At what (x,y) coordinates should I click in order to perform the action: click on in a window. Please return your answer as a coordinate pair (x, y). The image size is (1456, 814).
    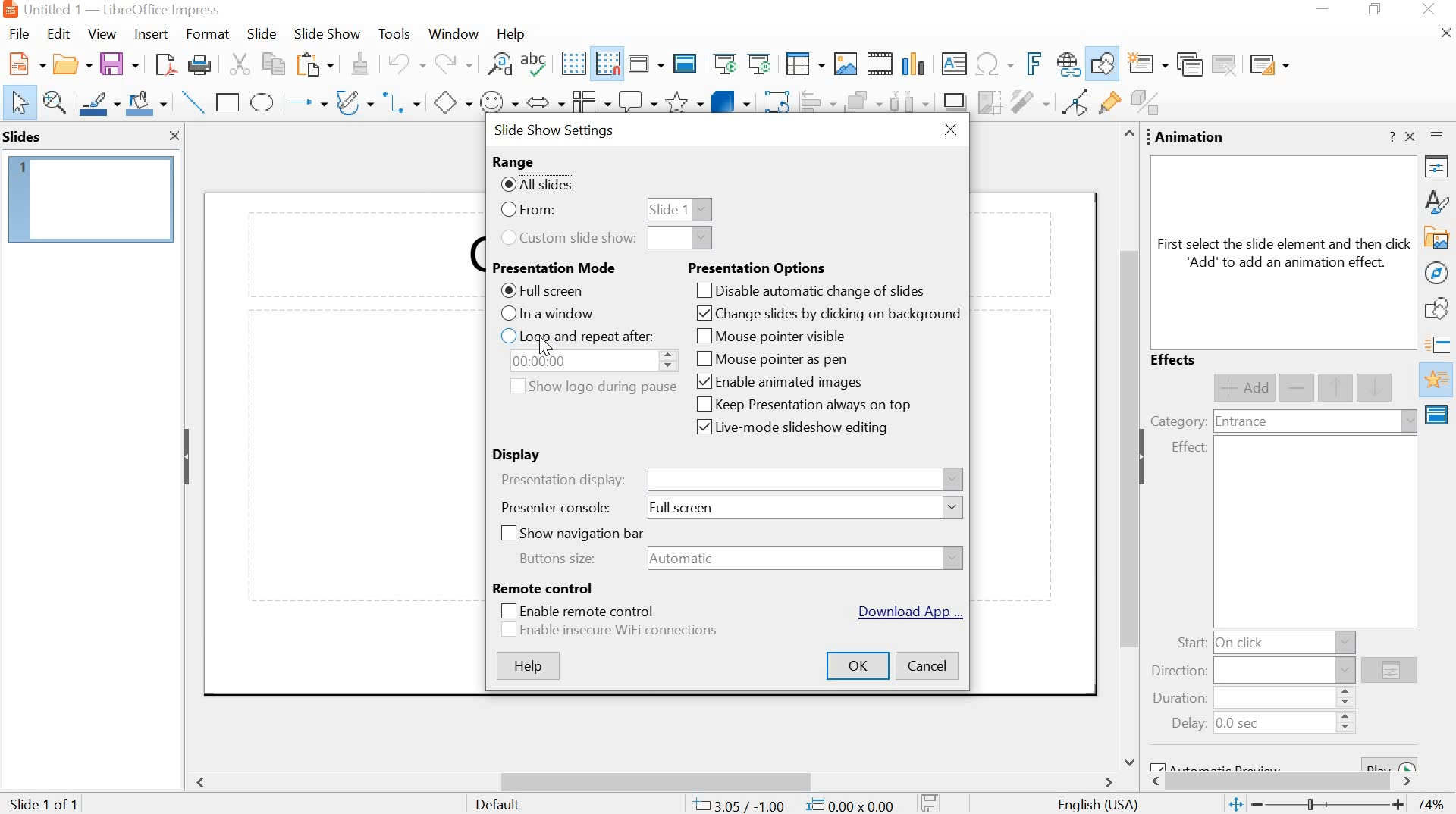
    Looking at the image, I should click on (549, 313).